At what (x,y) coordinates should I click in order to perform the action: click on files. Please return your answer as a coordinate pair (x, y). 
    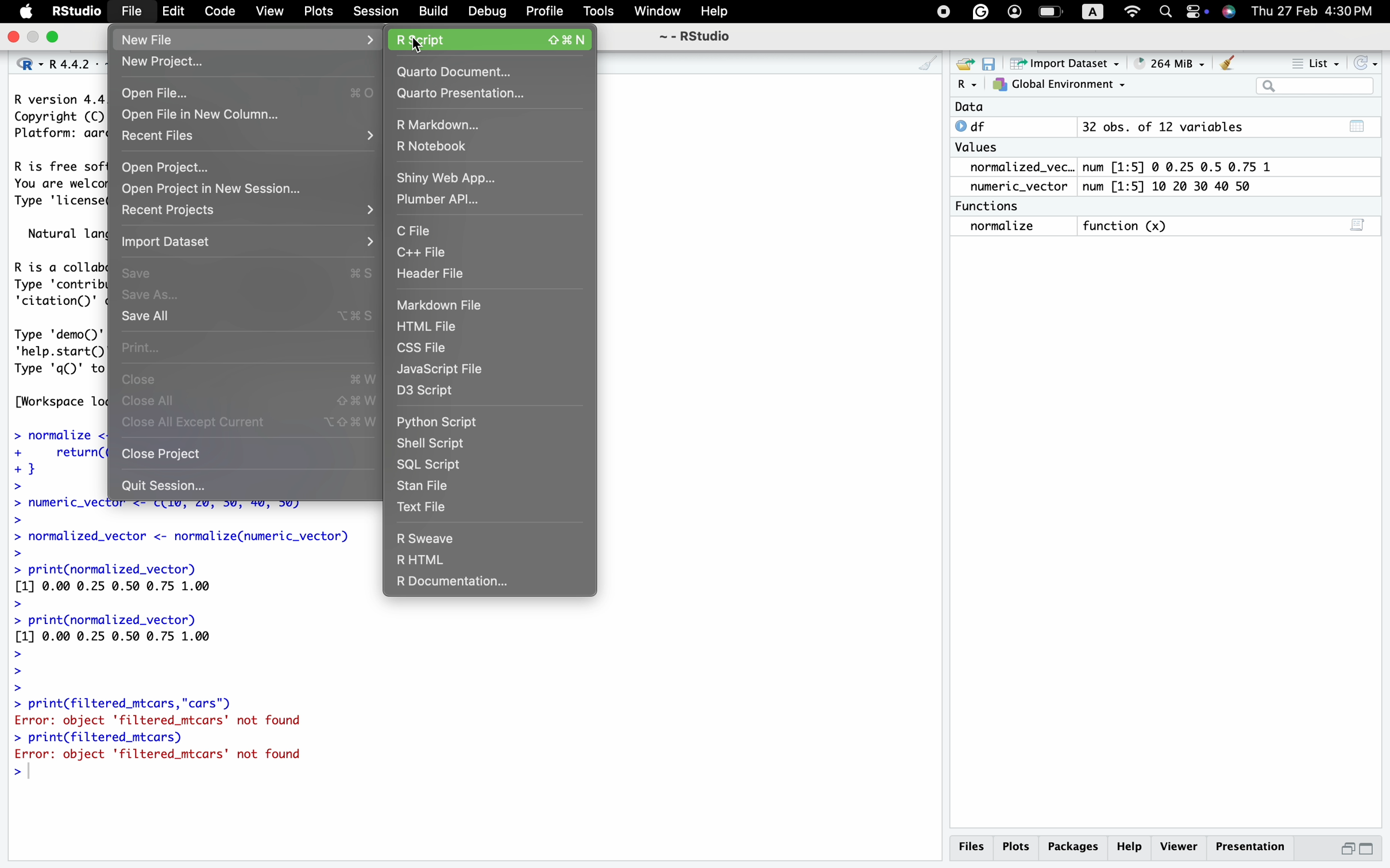
    Looking at the image, I should click on (971, 846).